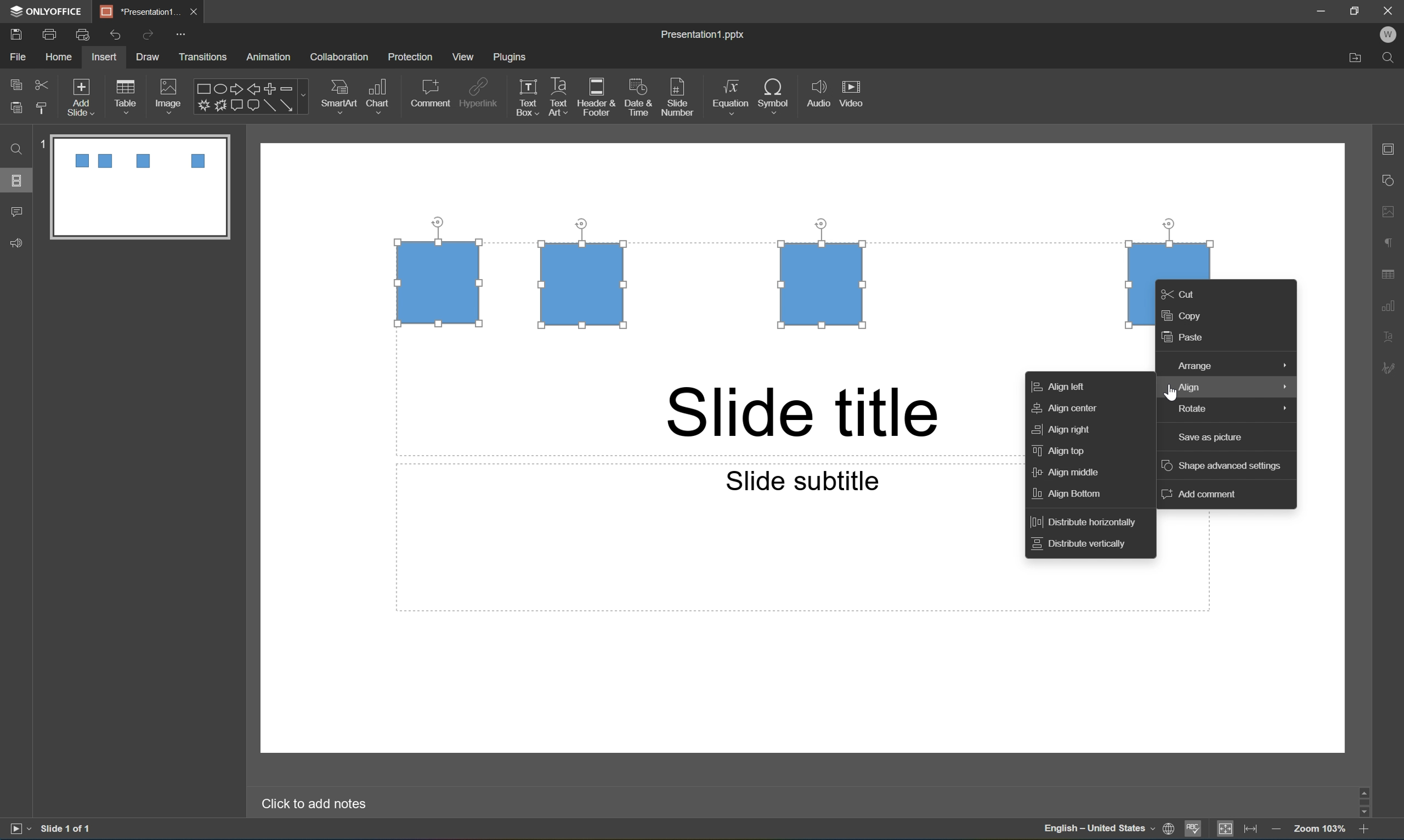 This screenshot has width=1404, height=840. Describe the element at coordinates (1277, 831) in the screenshot. I see `zoom out` at that location.